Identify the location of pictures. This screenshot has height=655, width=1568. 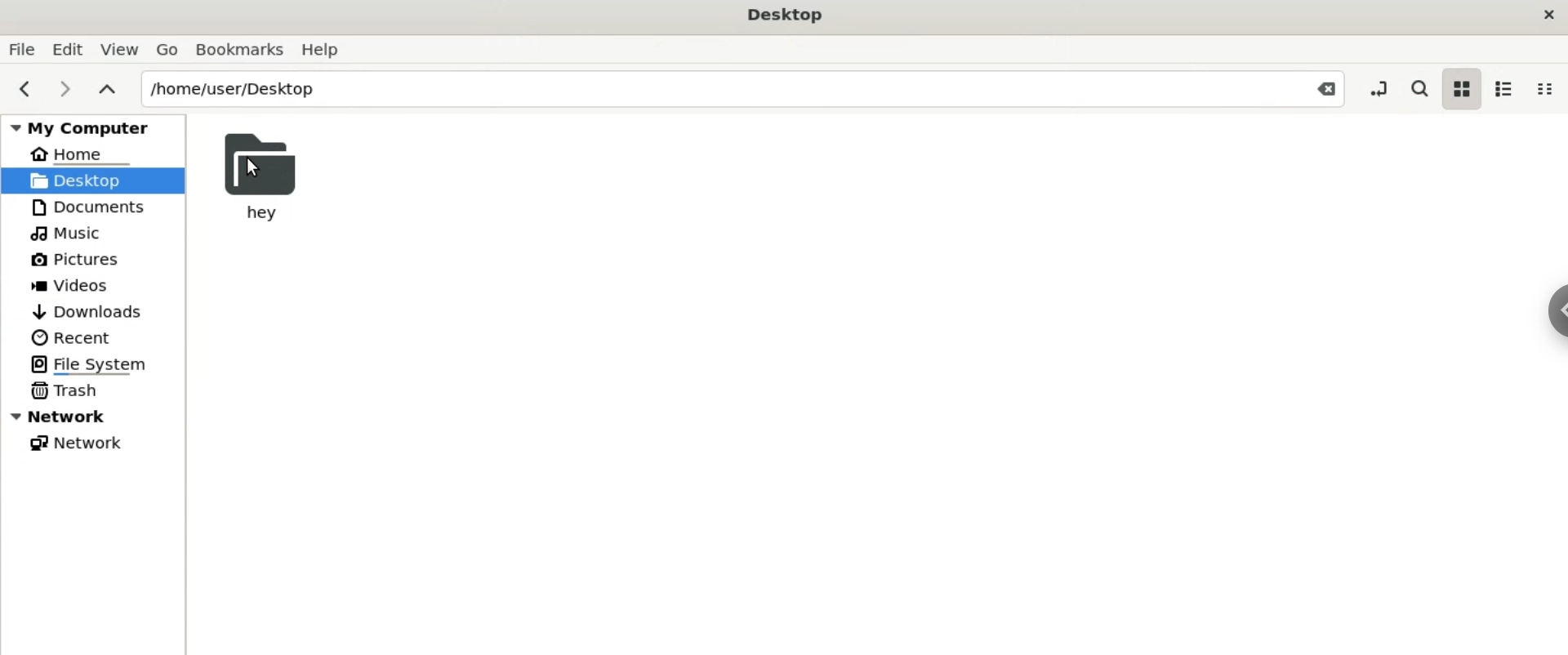
(76, 261).